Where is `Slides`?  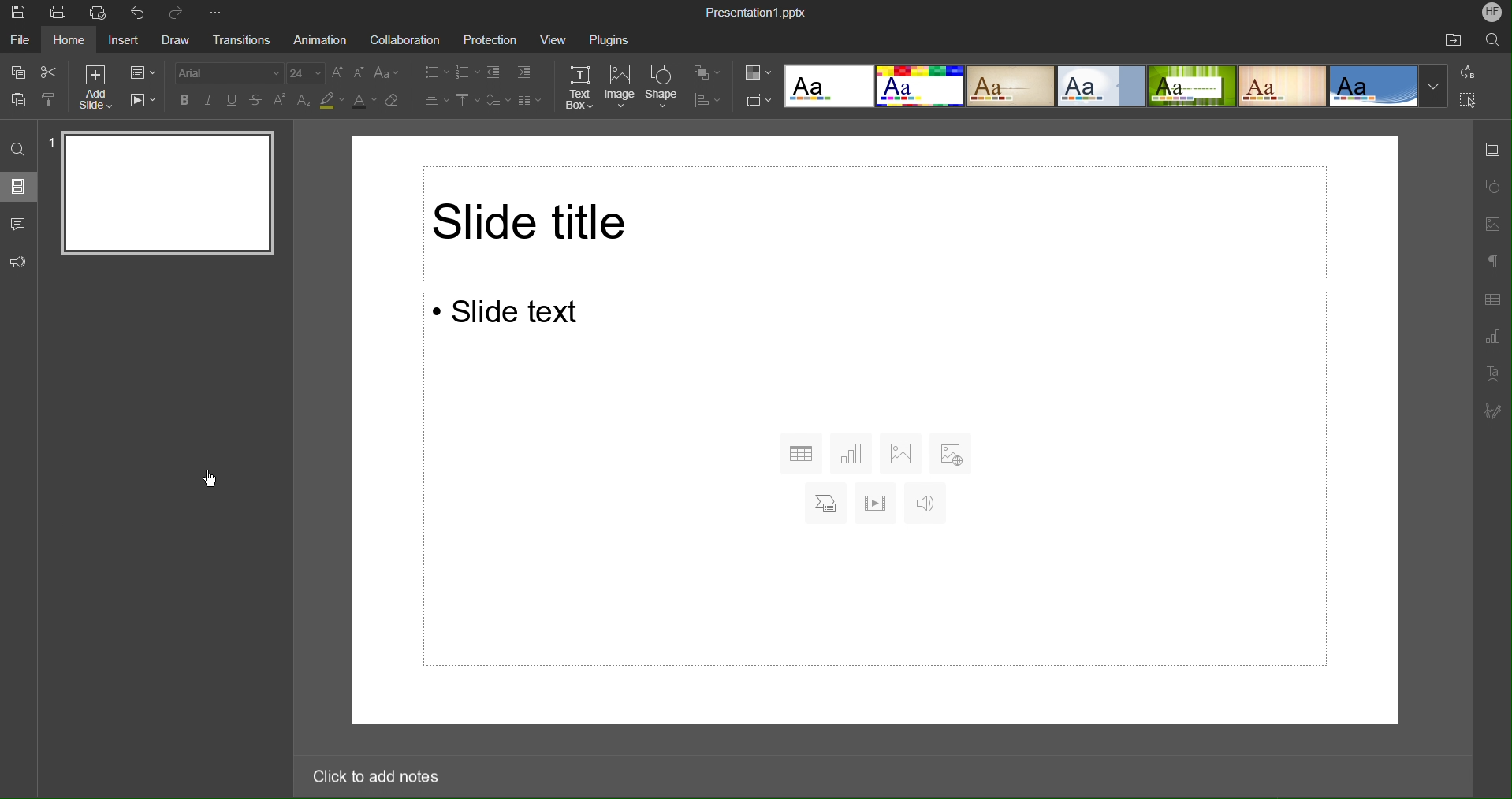
Slides is located at coordinates (20, 186).